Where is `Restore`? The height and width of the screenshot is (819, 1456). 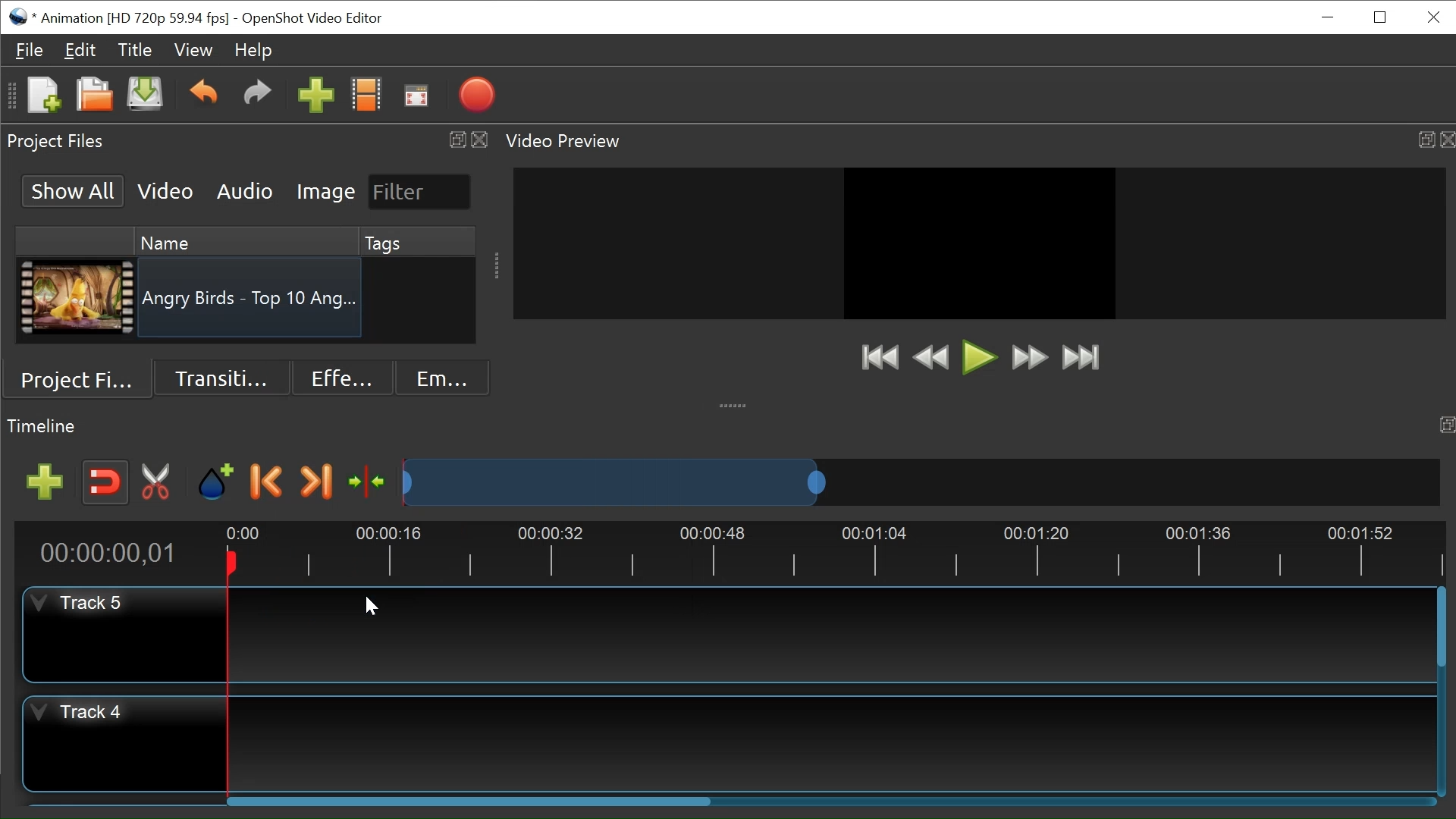 Restore is located at coordinates (1382, 17).